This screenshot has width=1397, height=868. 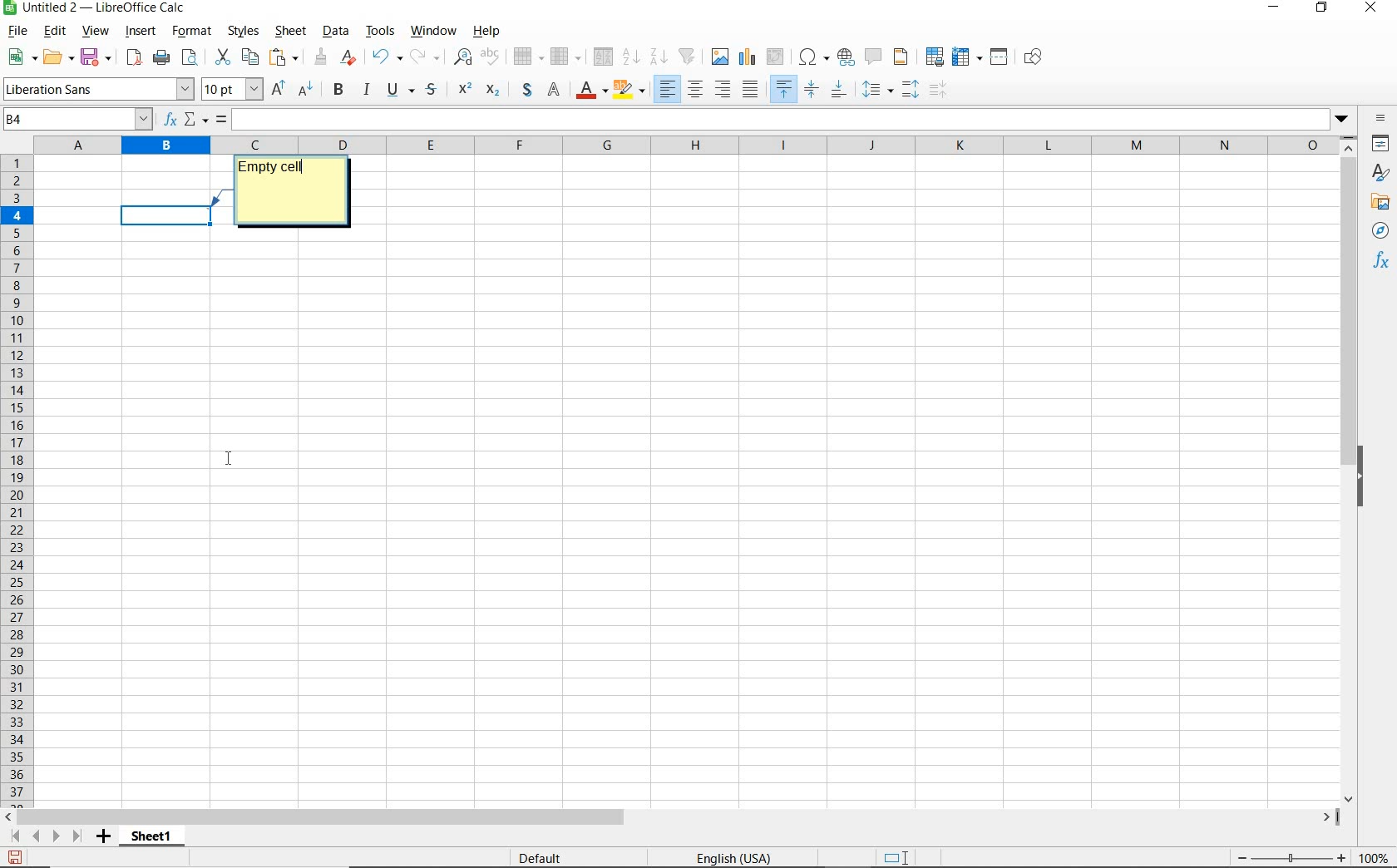 What do you see at coordinates (17, 32) in the screenshot?
I see `file` at bounding box center [17, 32].